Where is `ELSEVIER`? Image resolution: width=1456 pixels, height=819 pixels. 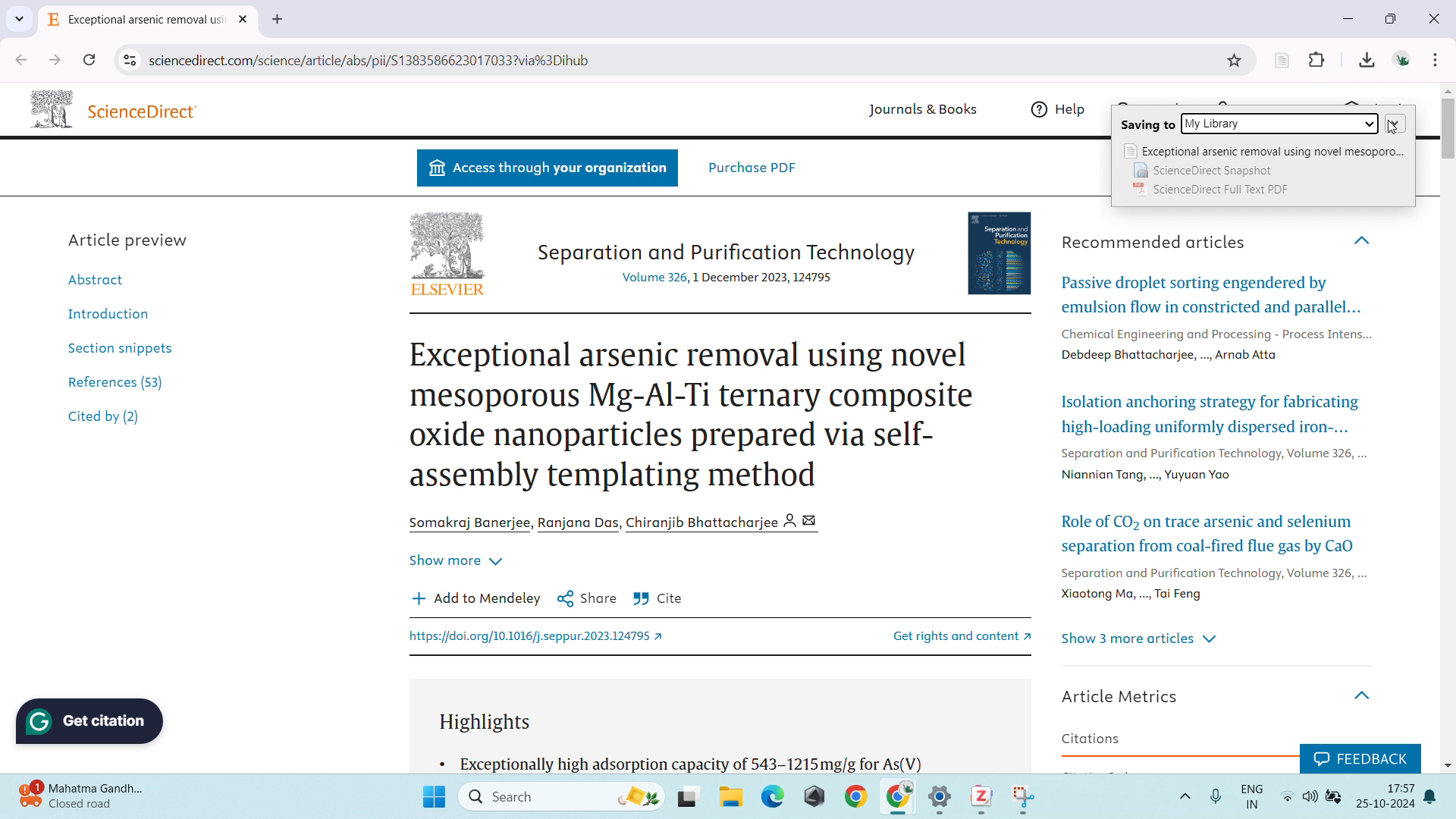 ELSEVIER is located at coordinates (447, 291).